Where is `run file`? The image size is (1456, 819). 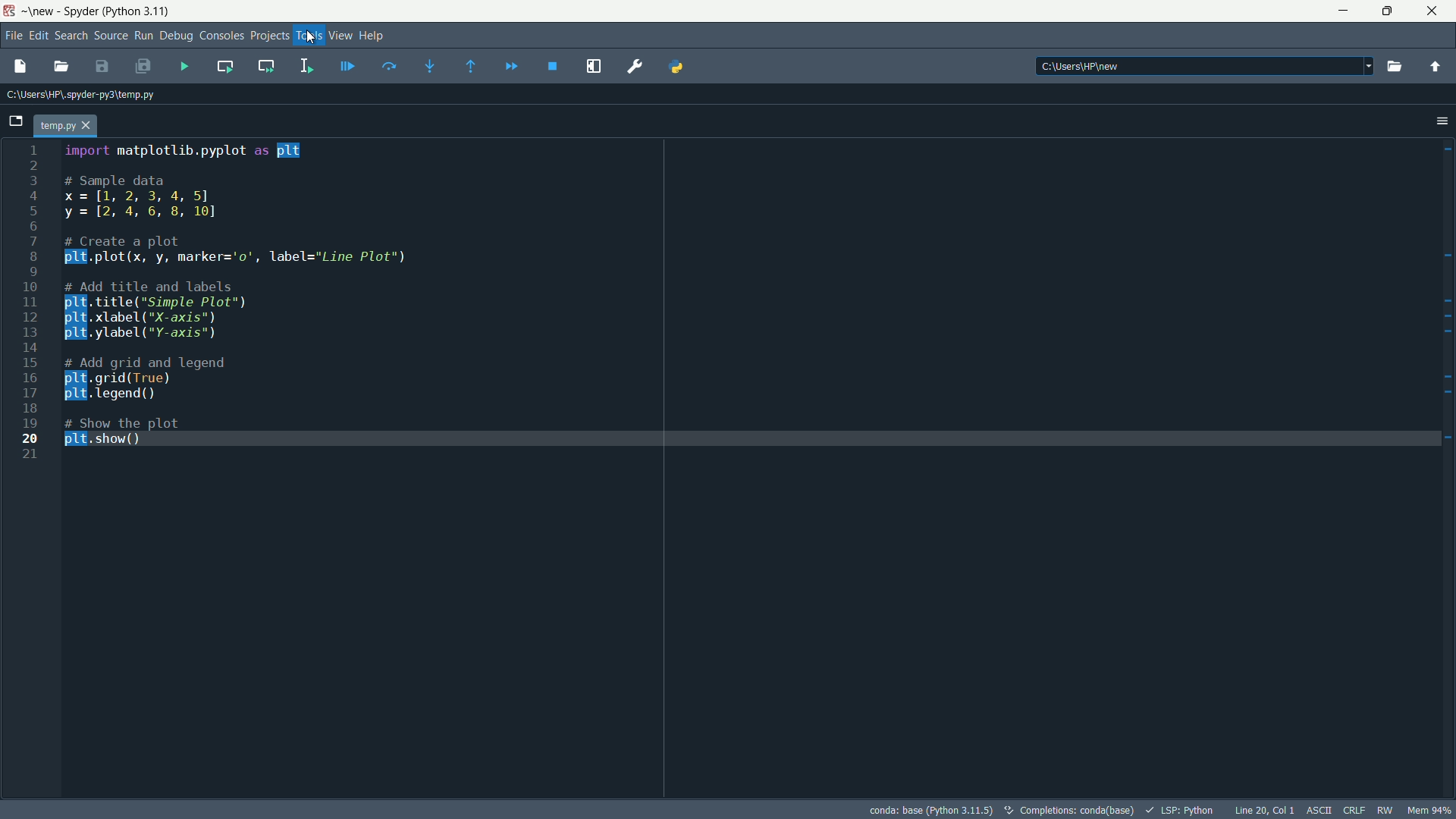
run file is located at coordinates (185, 67).